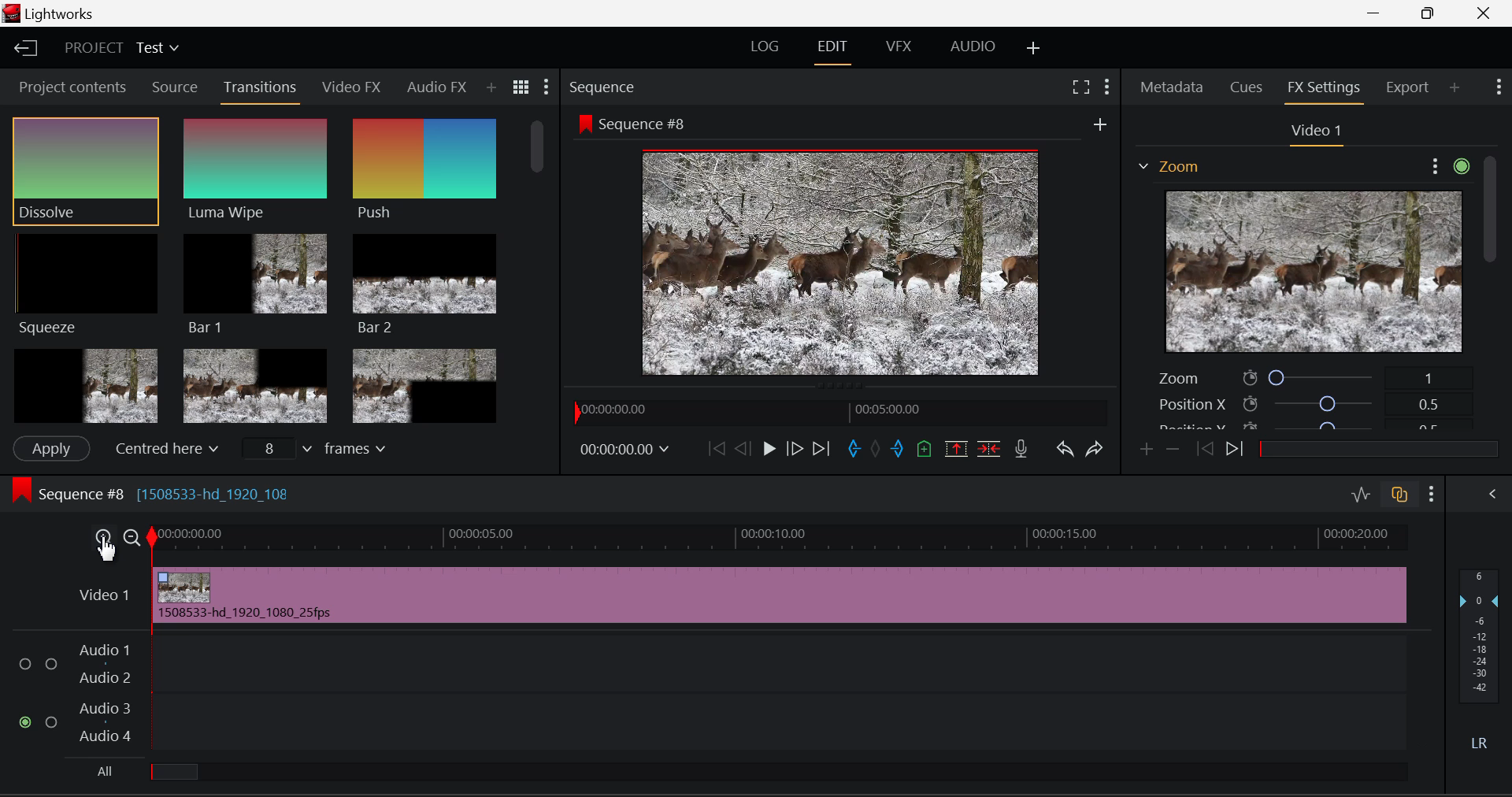  Describe the element at coordinates (1317, 131) in the screenshot. I see `Video Settings` at that location.